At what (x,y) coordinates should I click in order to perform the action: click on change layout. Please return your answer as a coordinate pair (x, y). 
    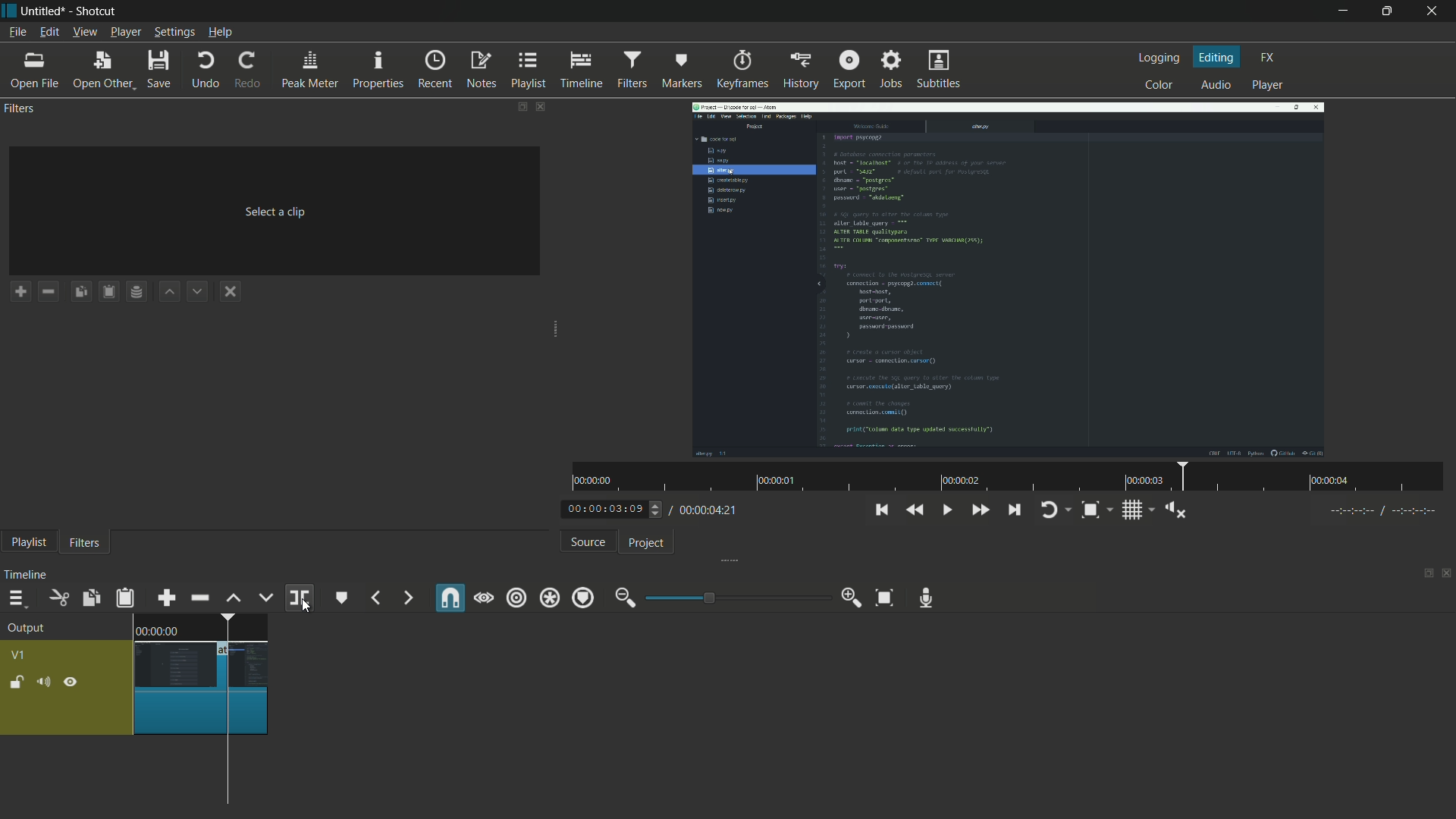
    Looking at the image, I should click on (1427, 573).